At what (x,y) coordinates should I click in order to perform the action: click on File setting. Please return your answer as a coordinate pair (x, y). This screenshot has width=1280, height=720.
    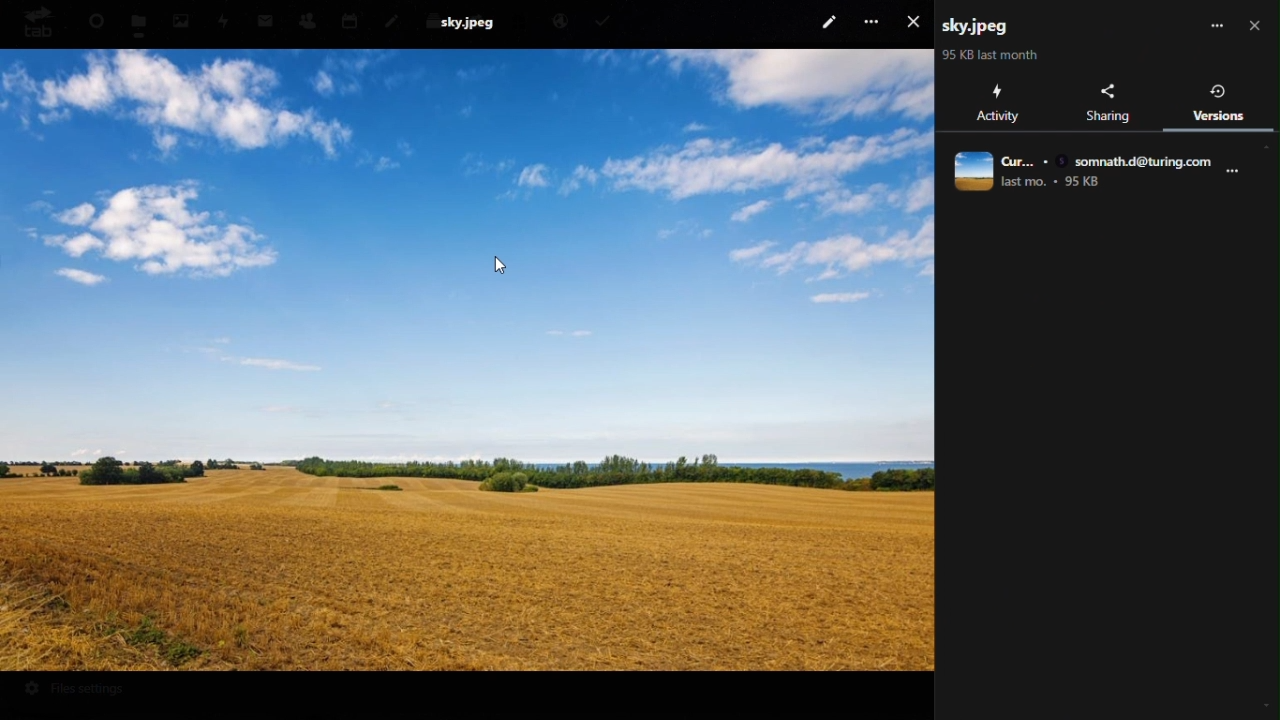
    Looking at the image, I should click on (87, 691).